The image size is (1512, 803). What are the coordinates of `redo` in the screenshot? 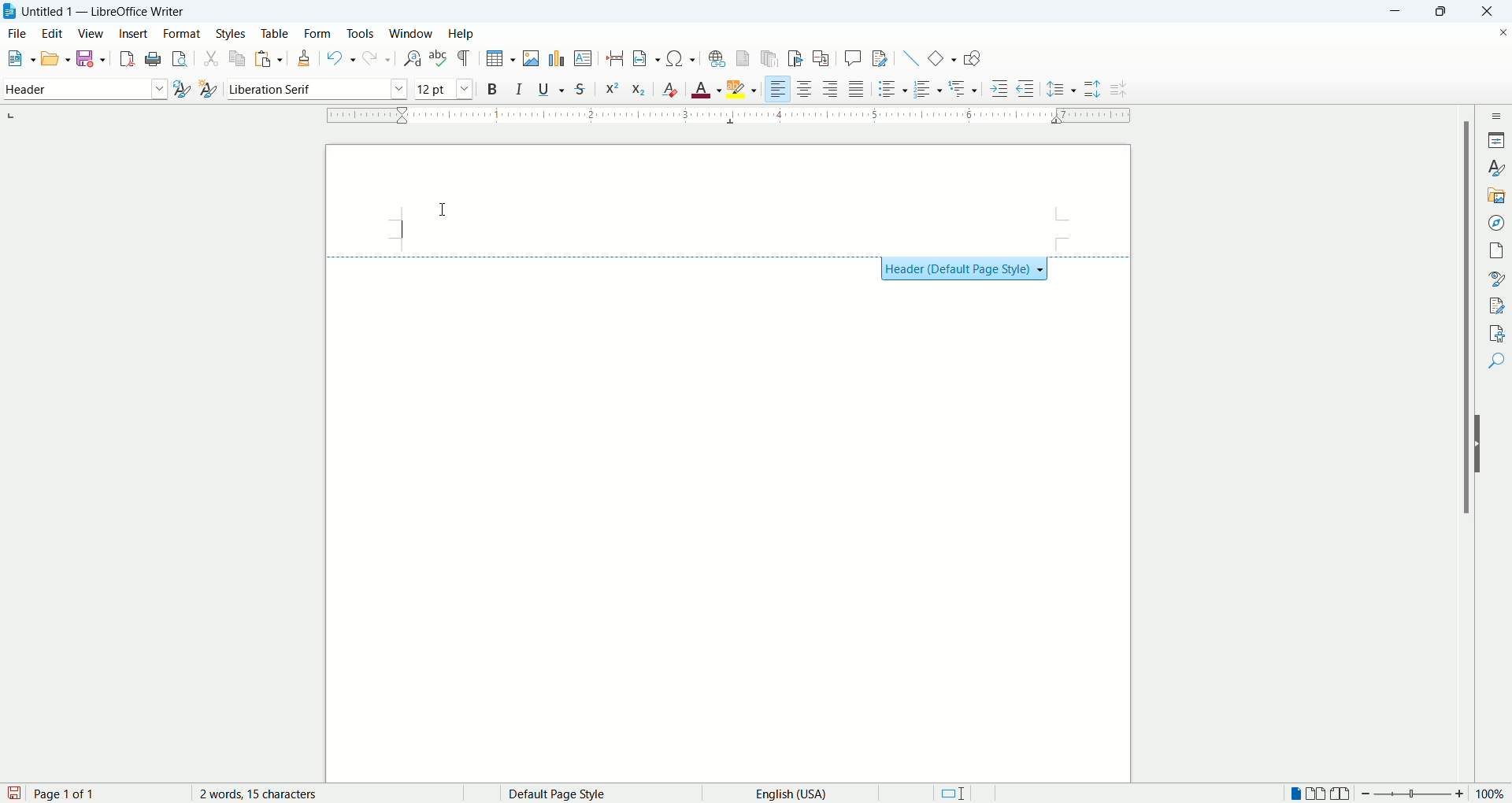 It's located at (376, 57).